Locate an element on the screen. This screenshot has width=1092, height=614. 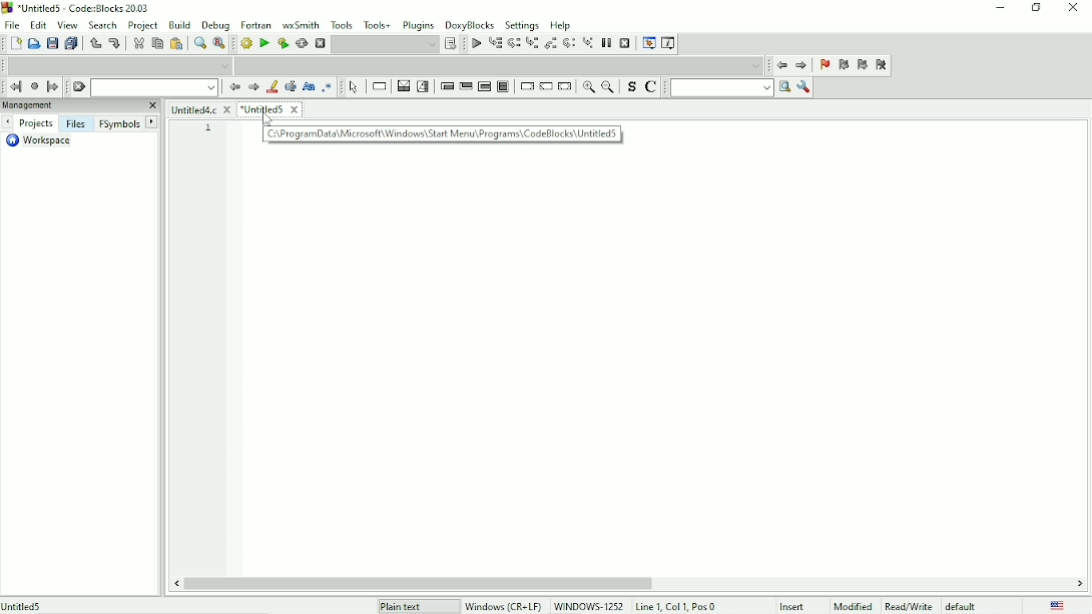
Step into is located at coordinates (532, 44).